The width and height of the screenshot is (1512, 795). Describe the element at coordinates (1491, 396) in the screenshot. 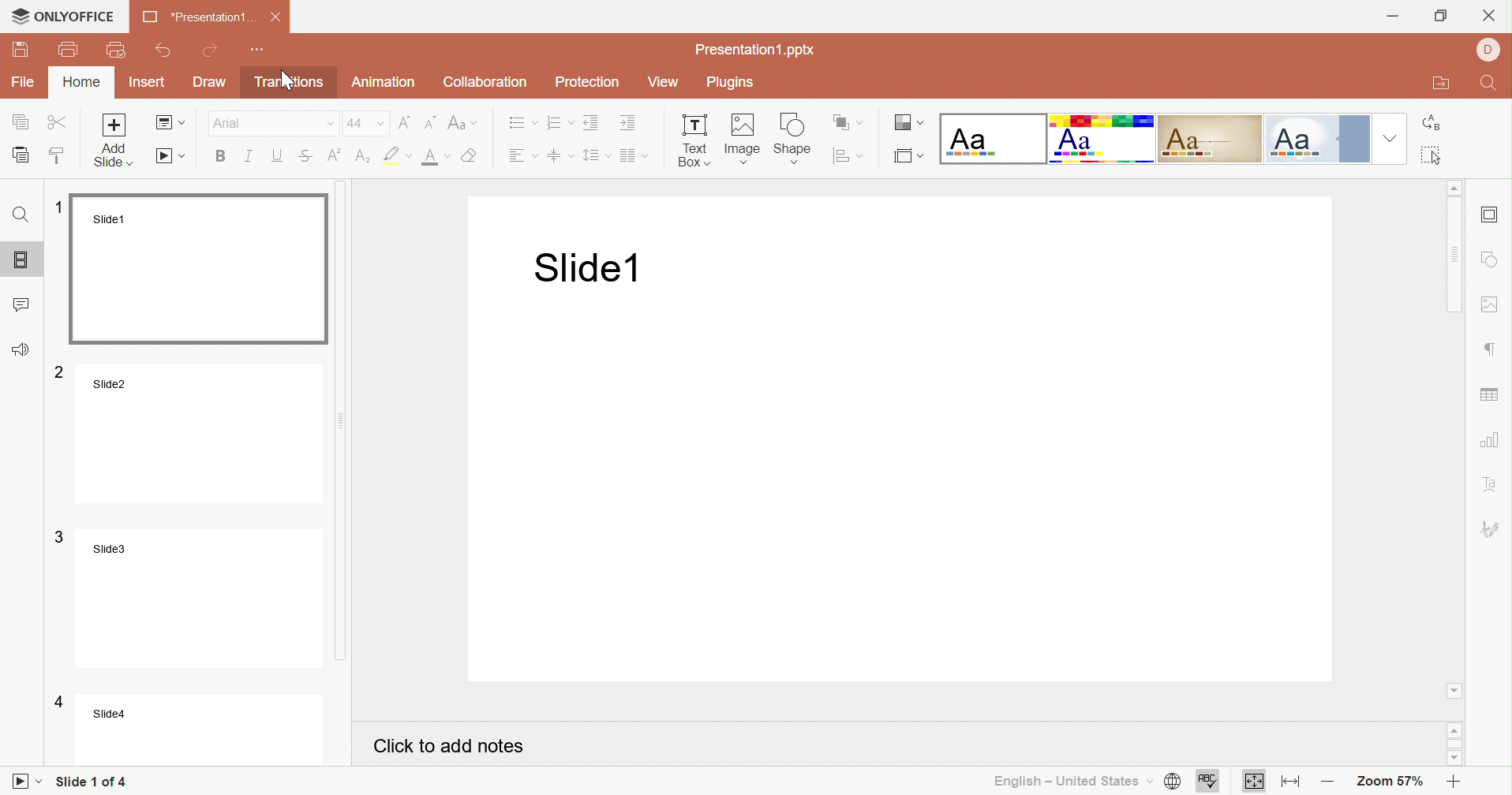

I see `Insert table` at that location.